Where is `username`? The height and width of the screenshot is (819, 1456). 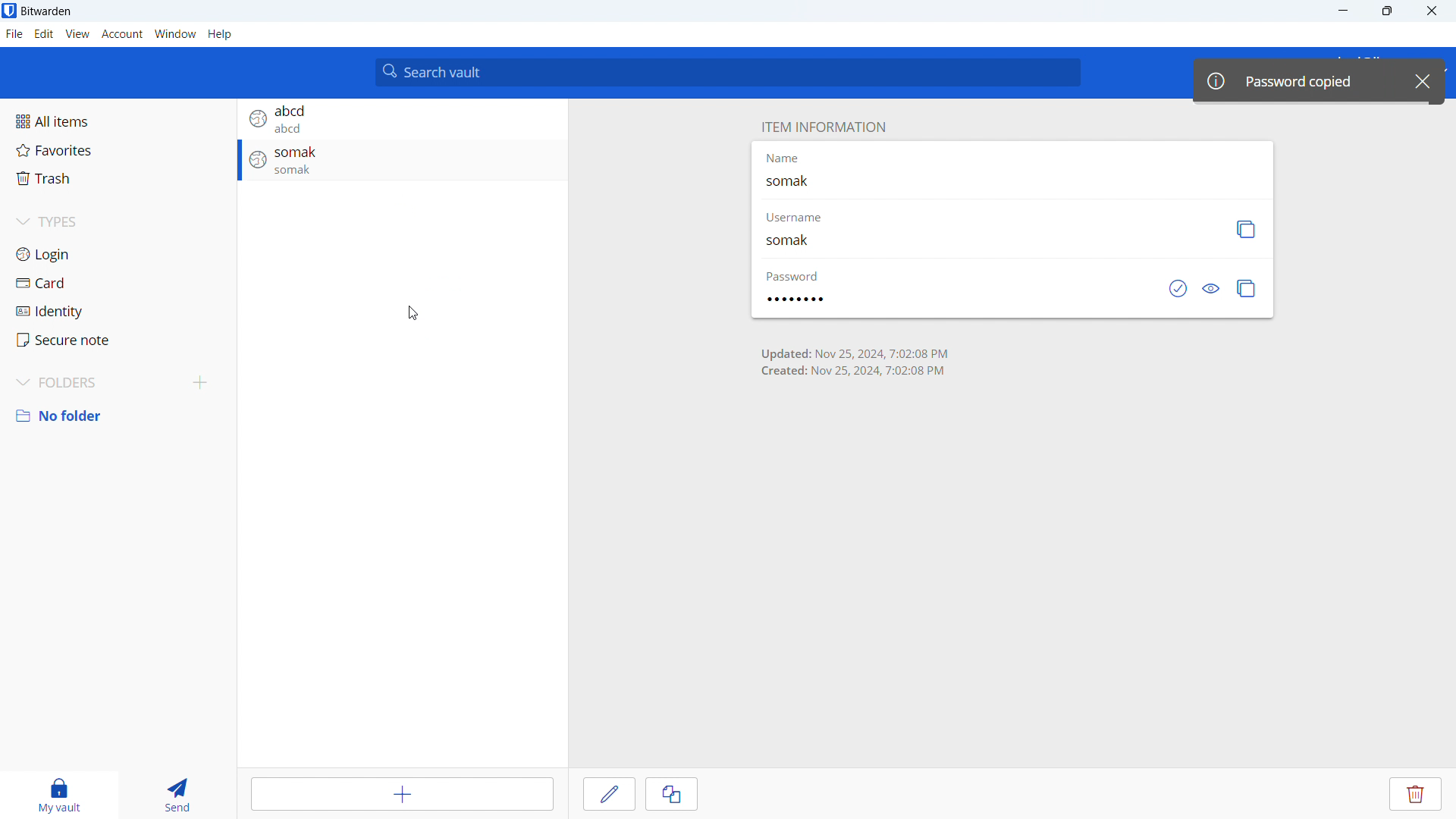
username is located at coordinates (802, 218).